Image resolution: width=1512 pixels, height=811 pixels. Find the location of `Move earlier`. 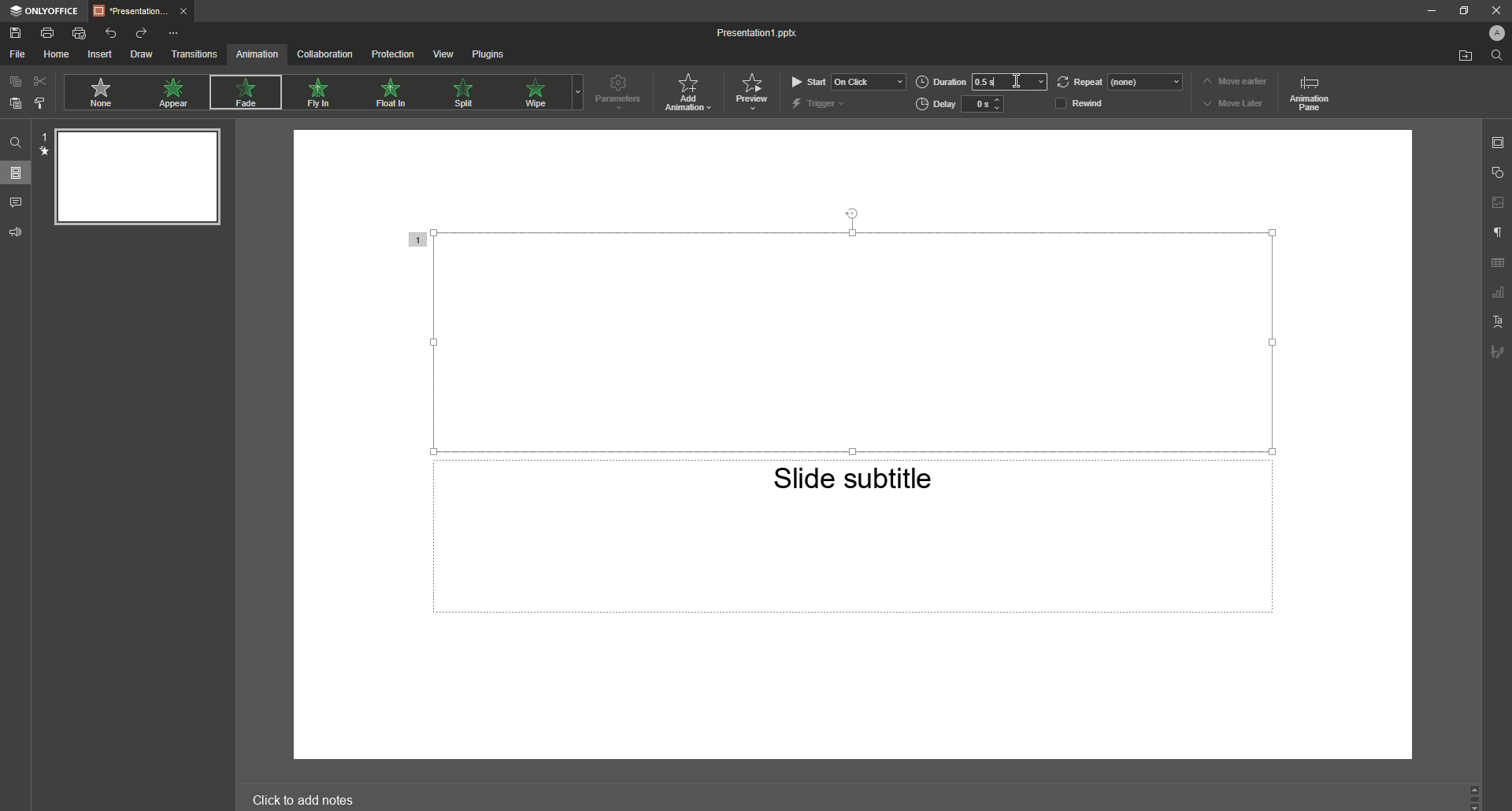

Move earlier is located at coordinates (1234, 81).